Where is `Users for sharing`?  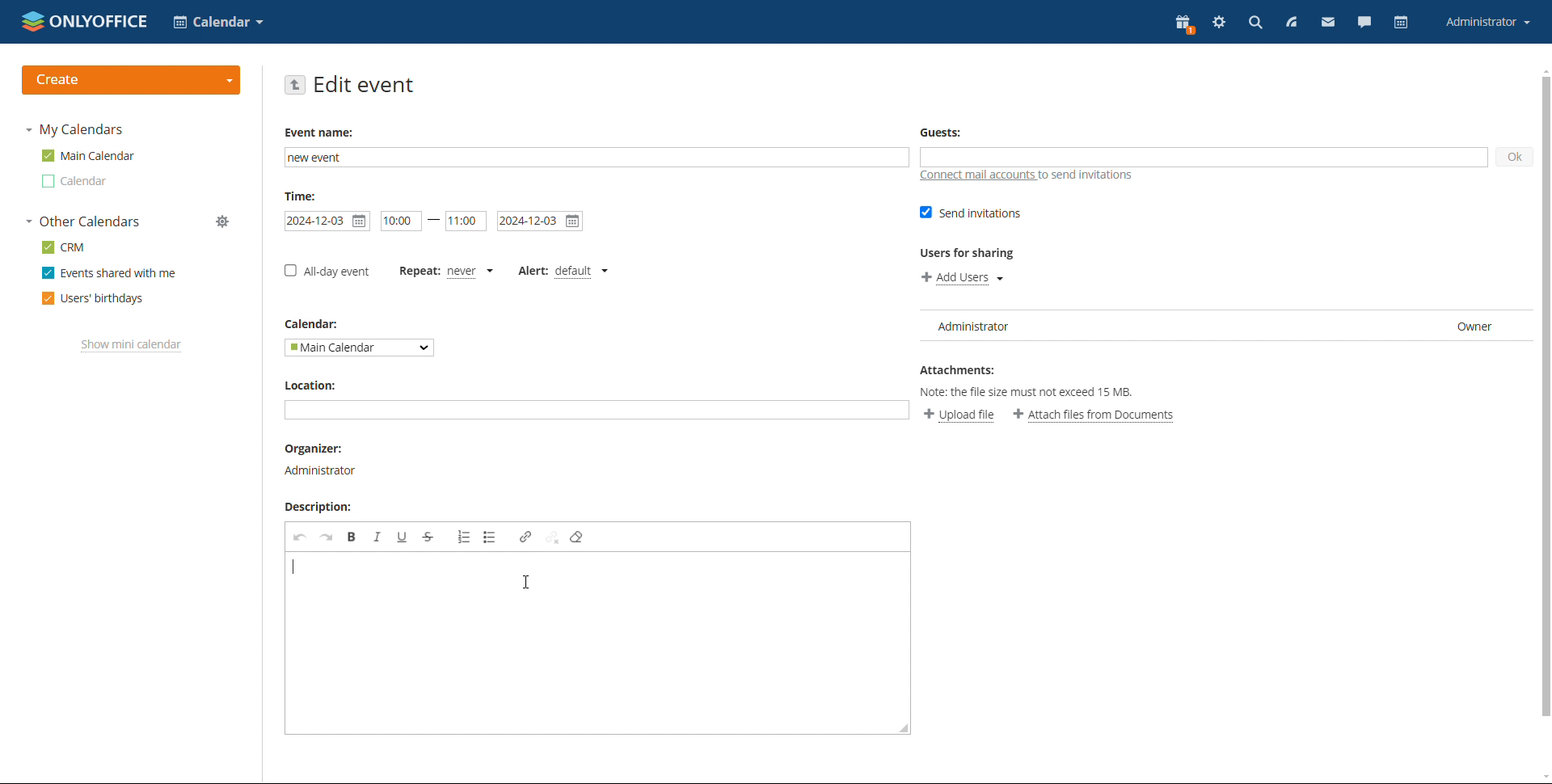 Users for sharing is located at coordinates (970, 253).